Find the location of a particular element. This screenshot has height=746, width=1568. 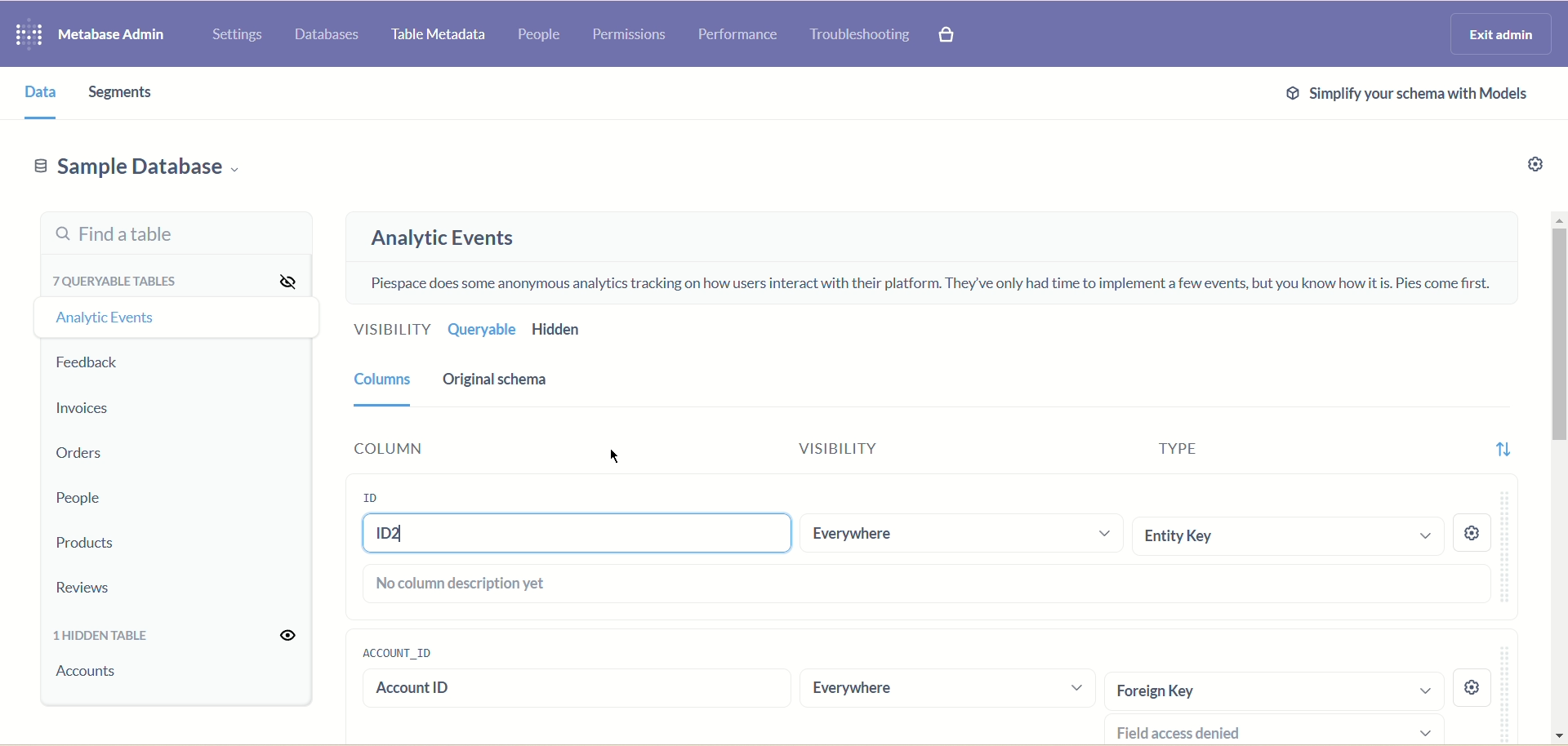

Columns is located at coordinates (385, 387).